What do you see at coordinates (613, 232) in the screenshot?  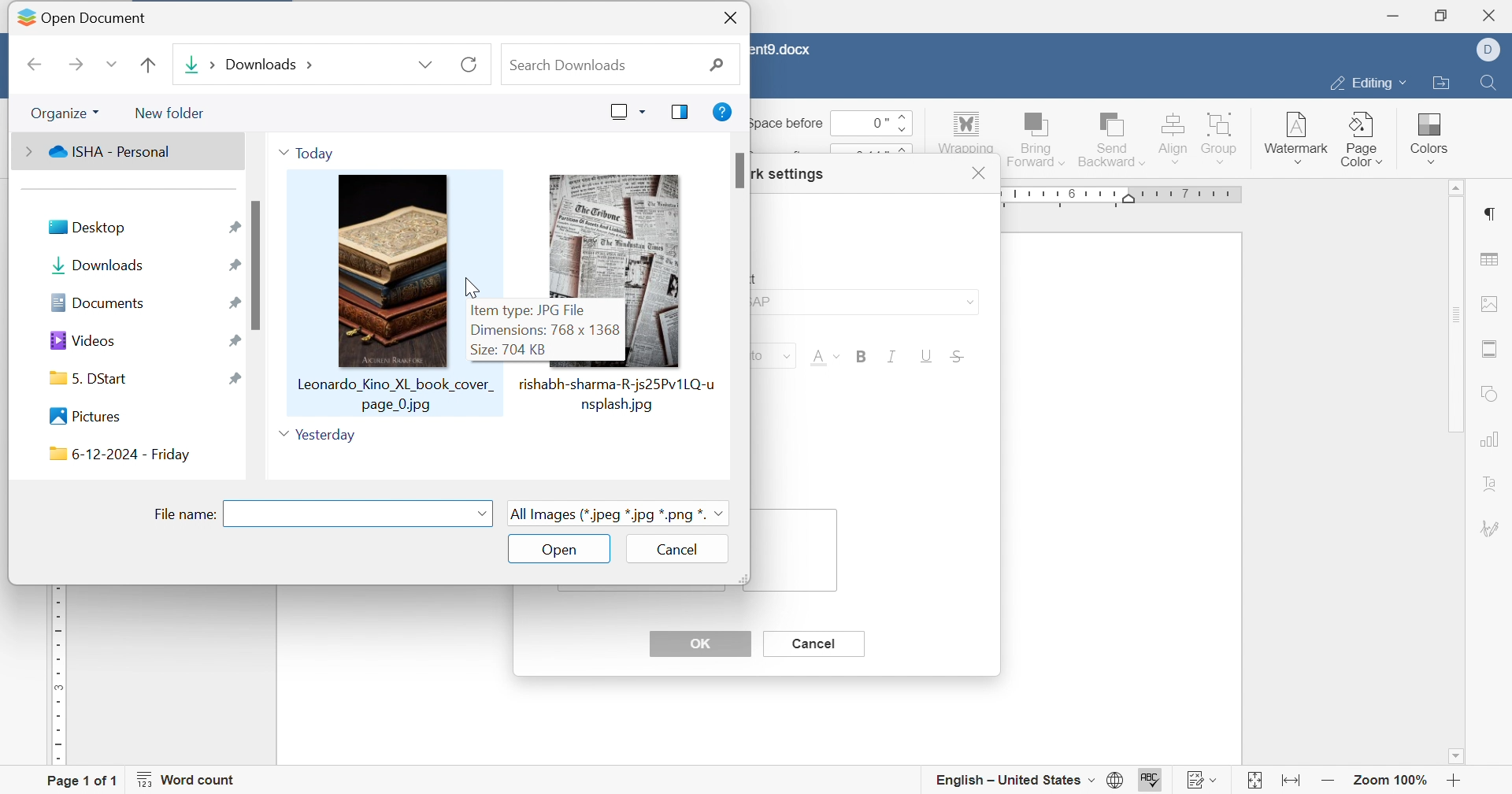 I see `image` at bounding box center [613, 232].